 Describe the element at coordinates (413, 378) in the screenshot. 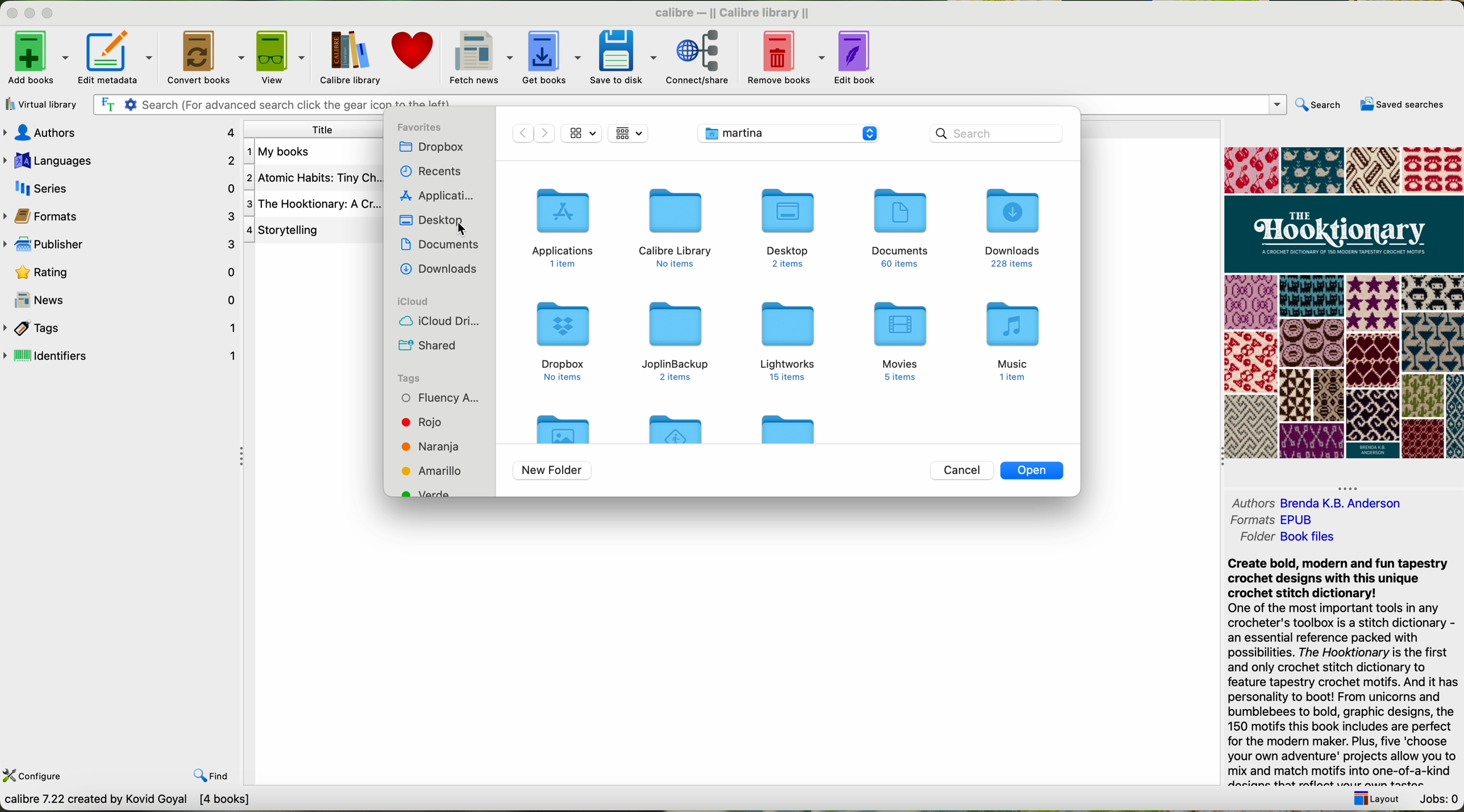

I see `tags` at that location.